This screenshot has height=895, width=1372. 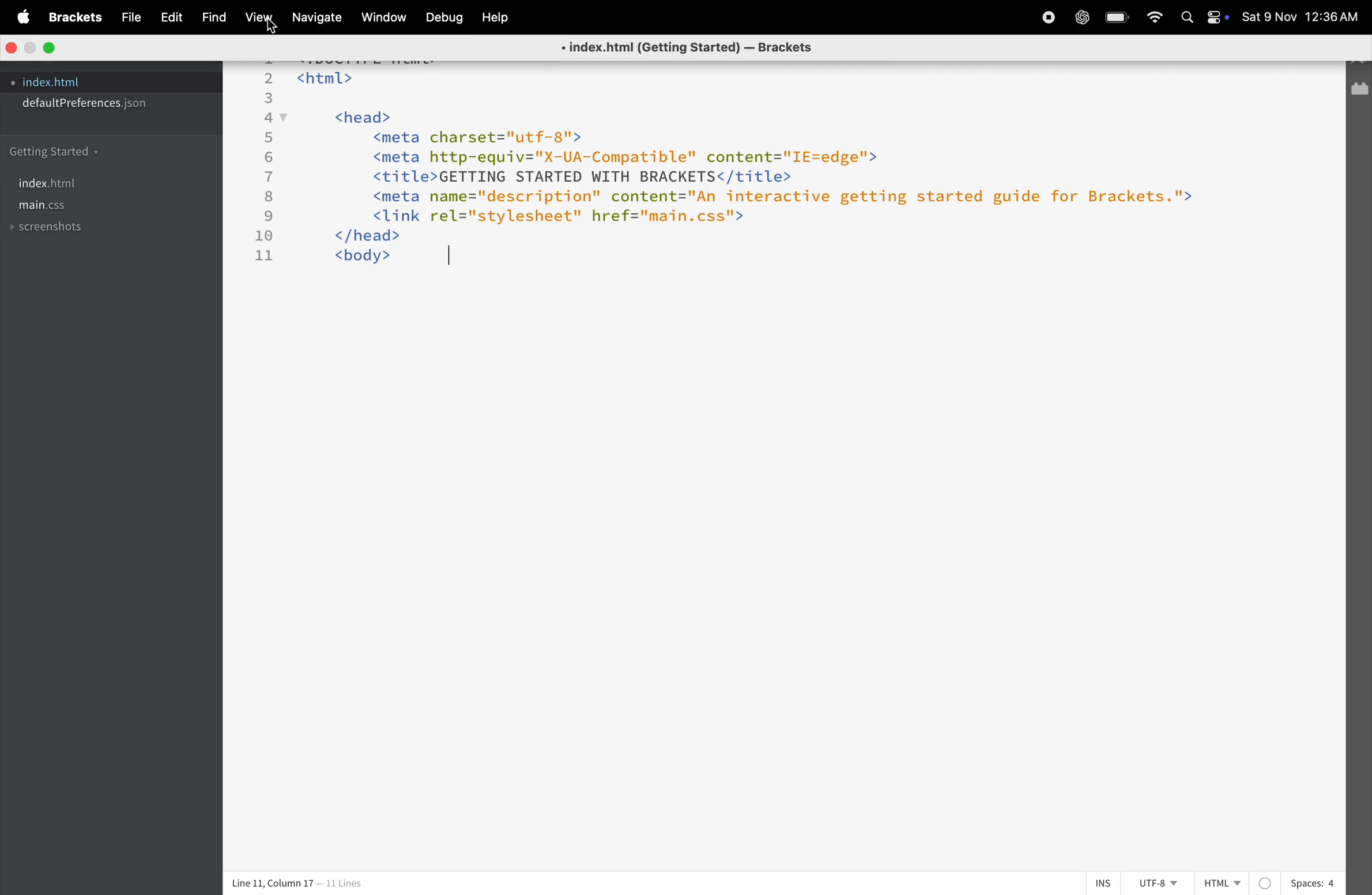 I want to click on index.html, so click(x=61, y=183).